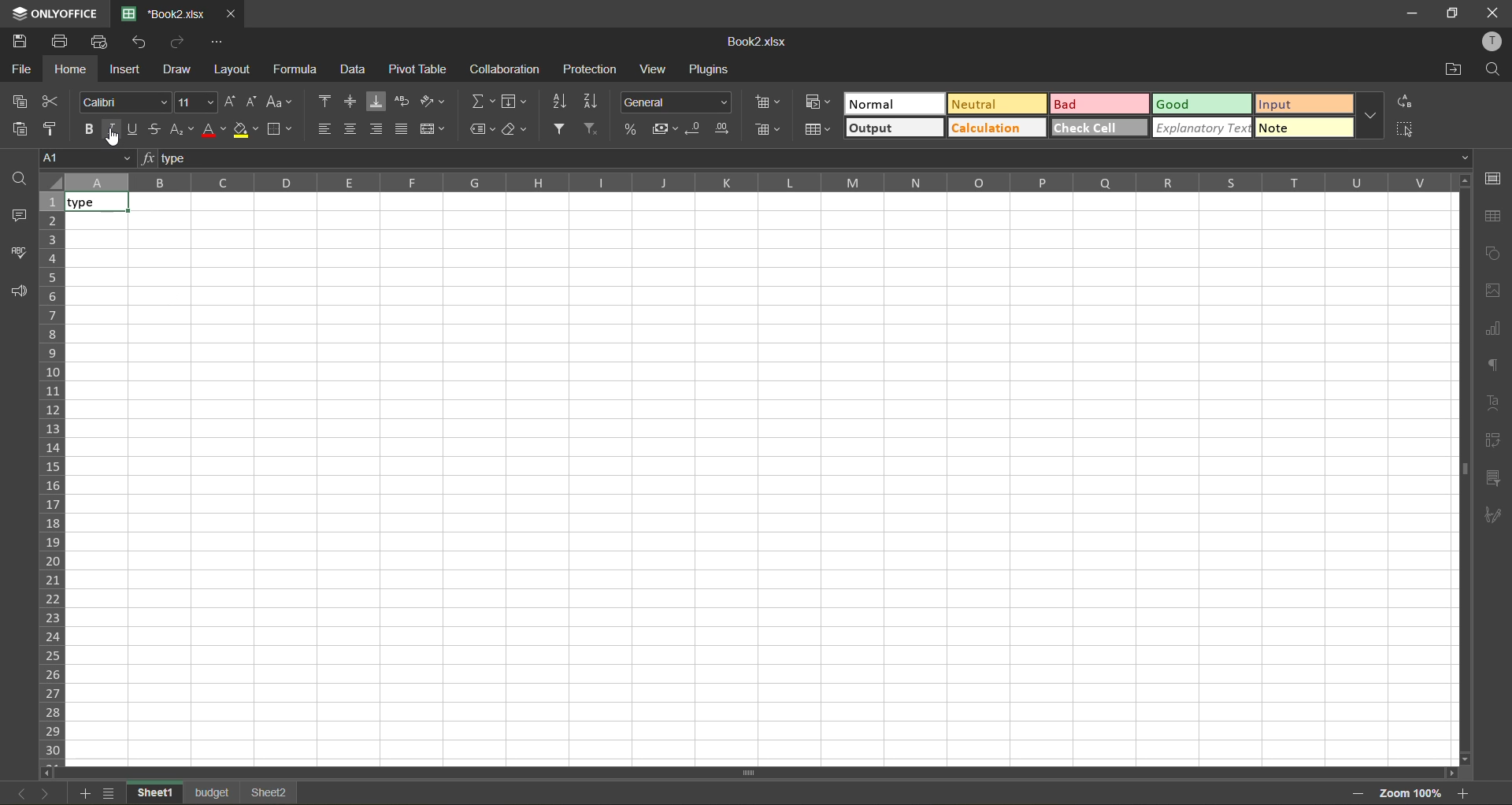  Describe the element at coordinates (298, 72) in the screenshot. I see `formula` at that location.